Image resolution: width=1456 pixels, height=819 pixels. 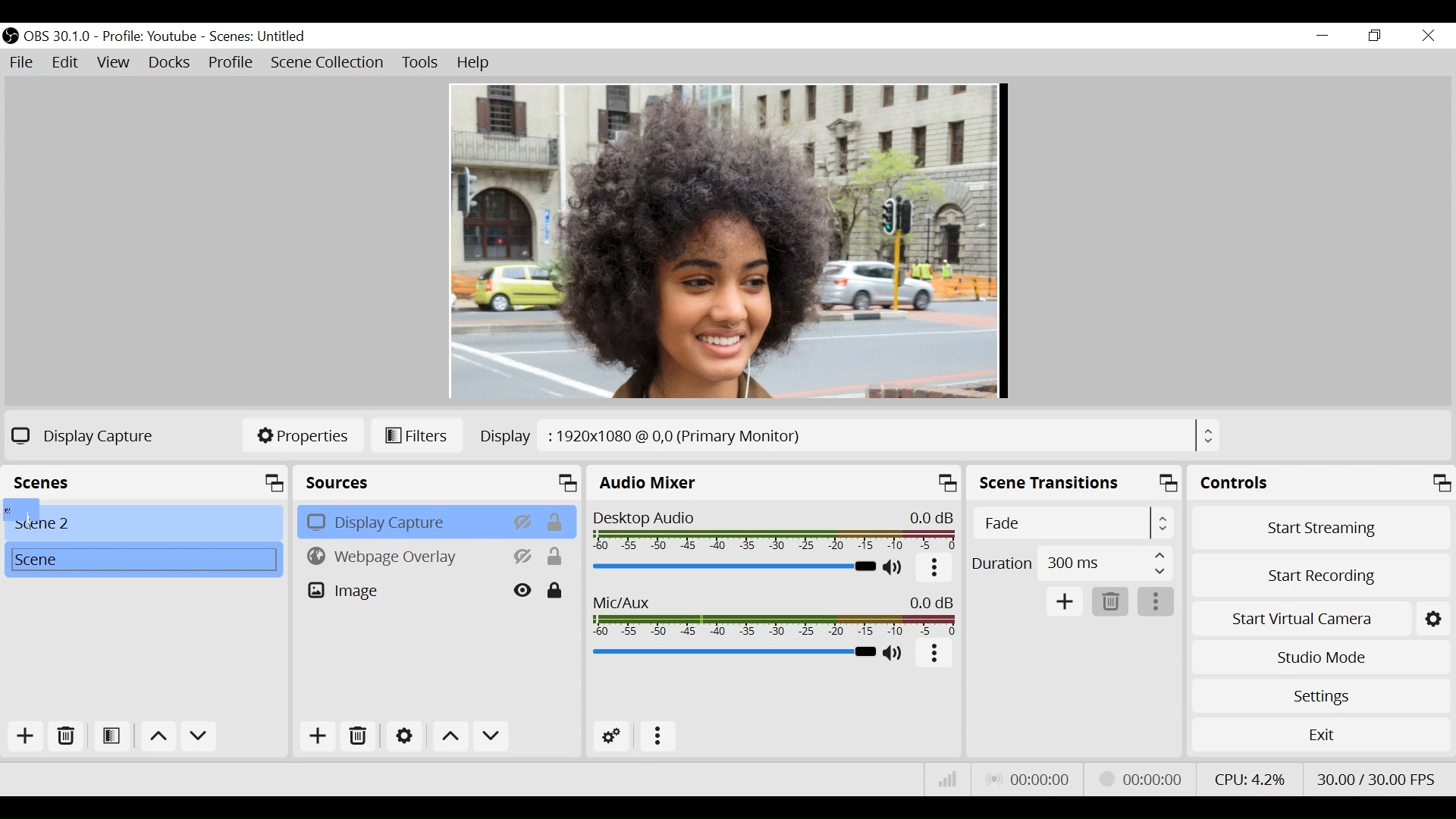 What do you see at coordinates (524, 556) in the screenshot?
I see `HIde/Display` at bounding box center [524, 556].